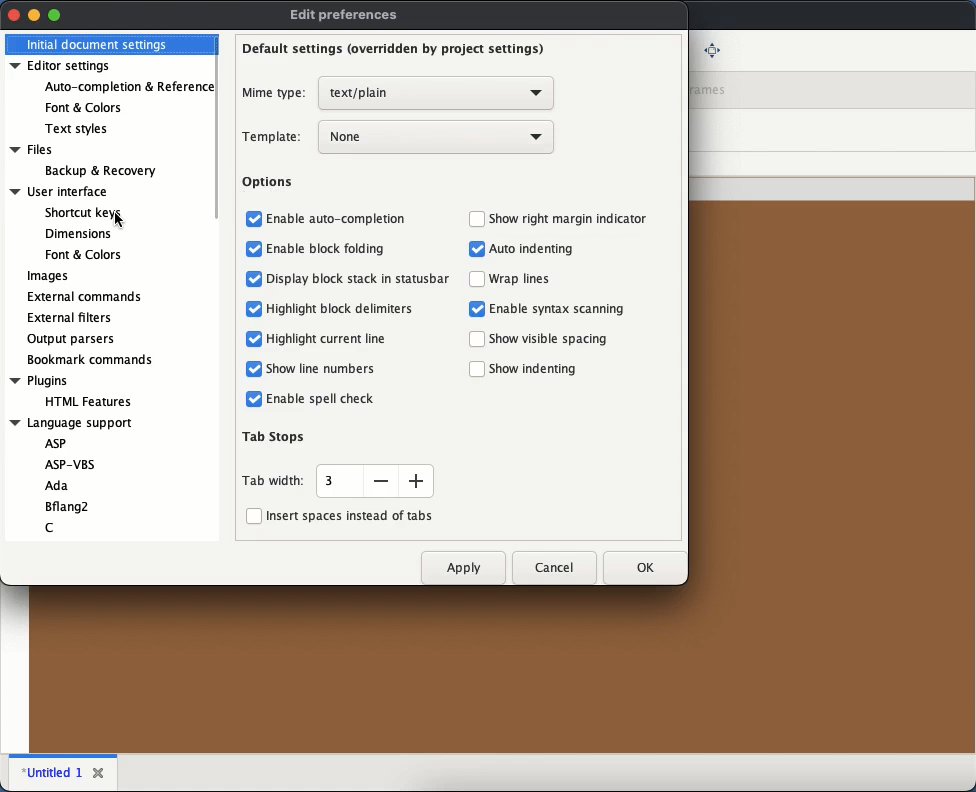  Describe the element at coordinates (76, 131) in the screenshot. I see `Text styles` at that location.